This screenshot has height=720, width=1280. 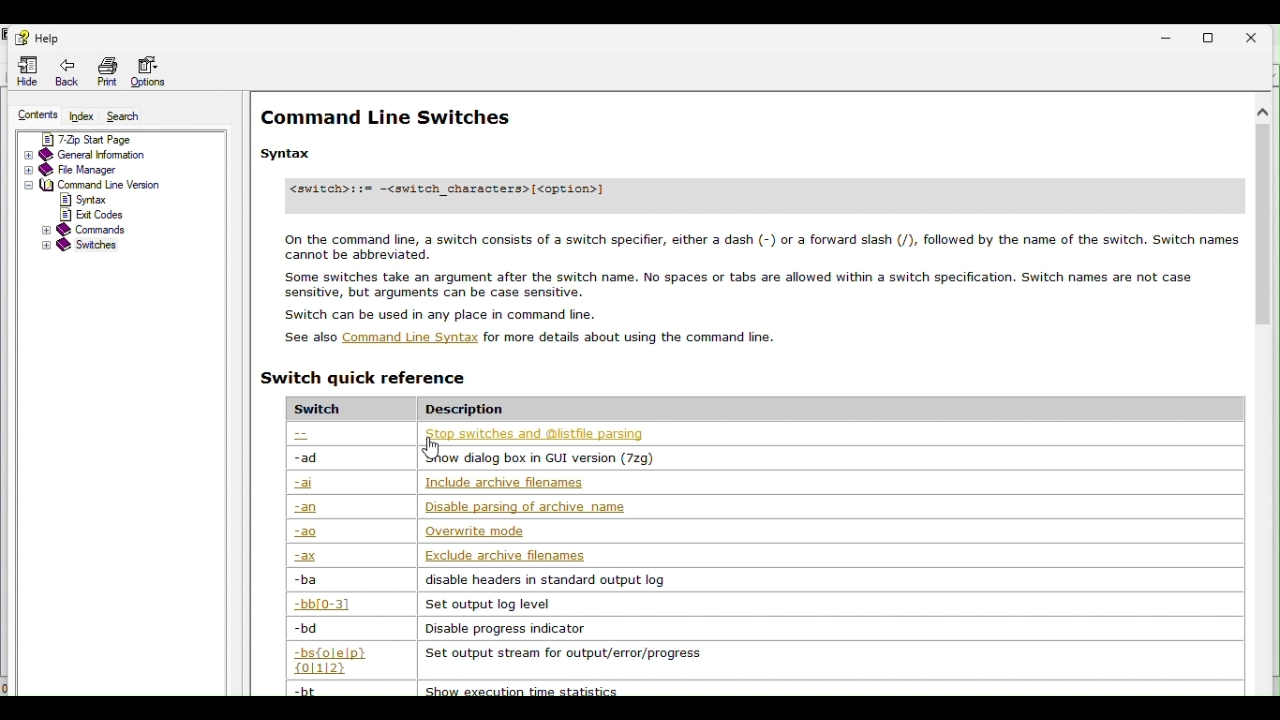 What do you see at coordinates (66, 68) in the screenshot?
I see `Back` at bounding box center [66, 68].